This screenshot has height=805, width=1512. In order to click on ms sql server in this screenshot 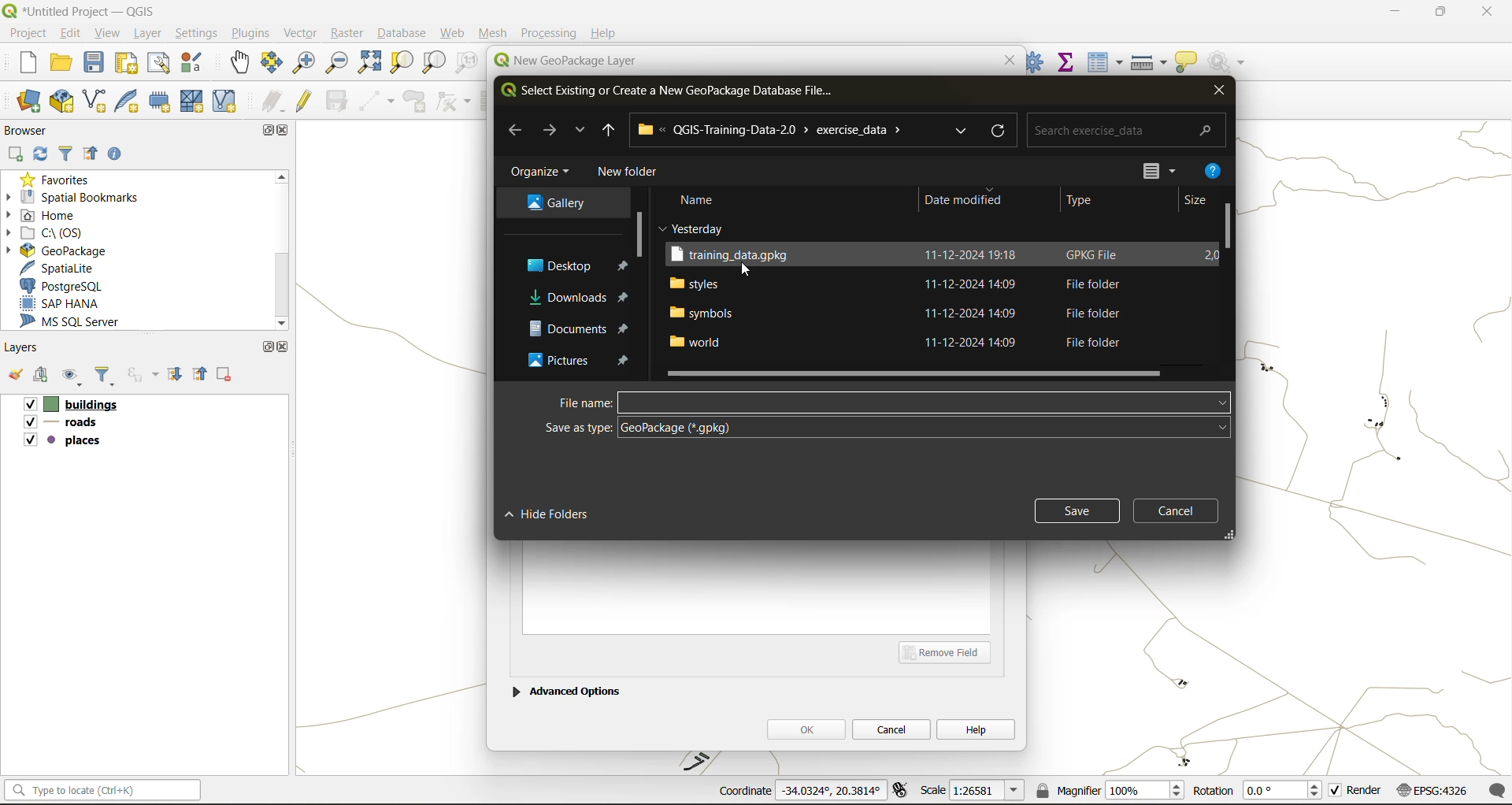, I will do `click(80, 324)`.